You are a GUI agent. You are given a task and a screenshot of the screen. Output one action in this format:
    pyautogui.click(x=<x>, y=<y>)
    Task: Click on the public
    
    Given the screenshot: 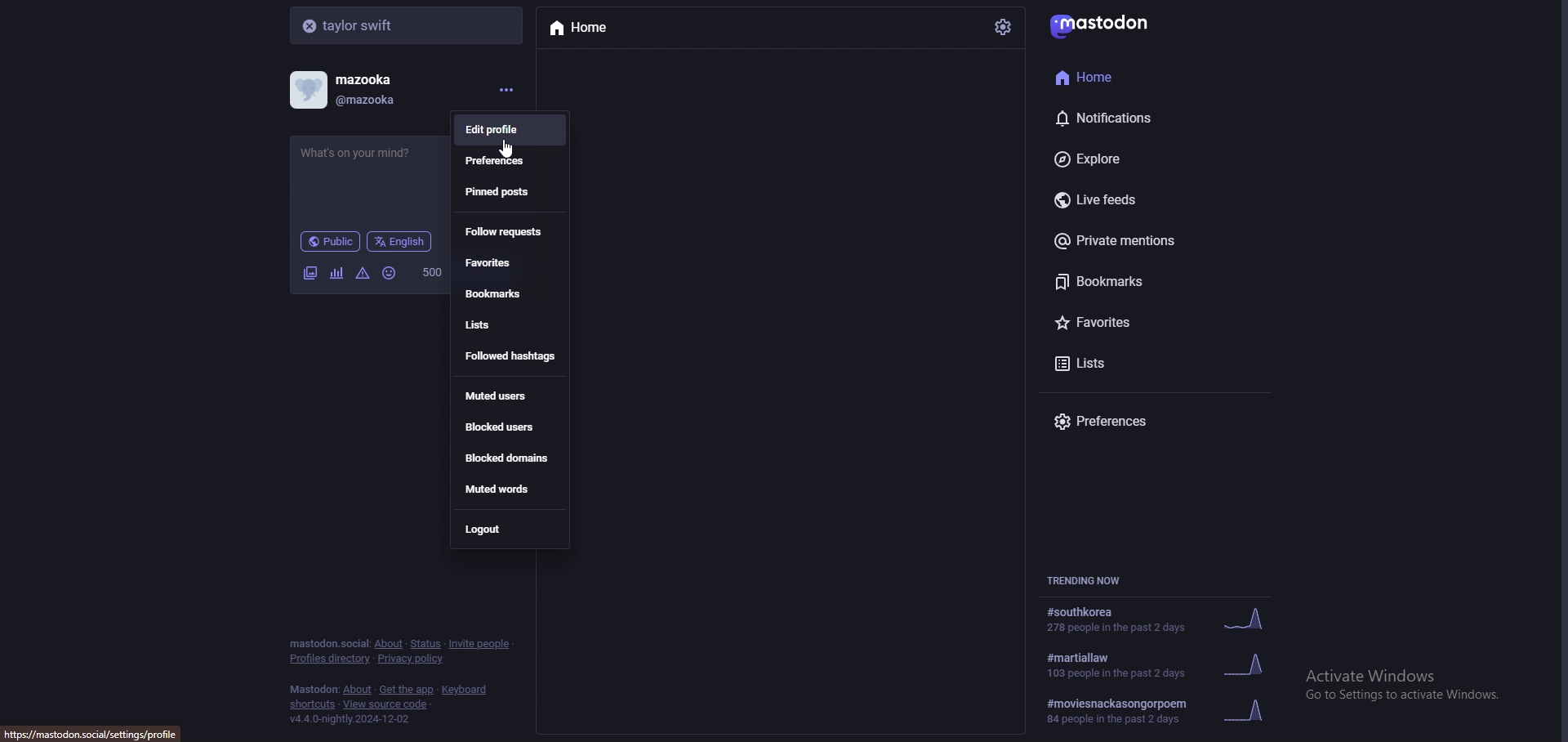 What is the action you would take?
    pyautogui.click(x=332, y=241)
    